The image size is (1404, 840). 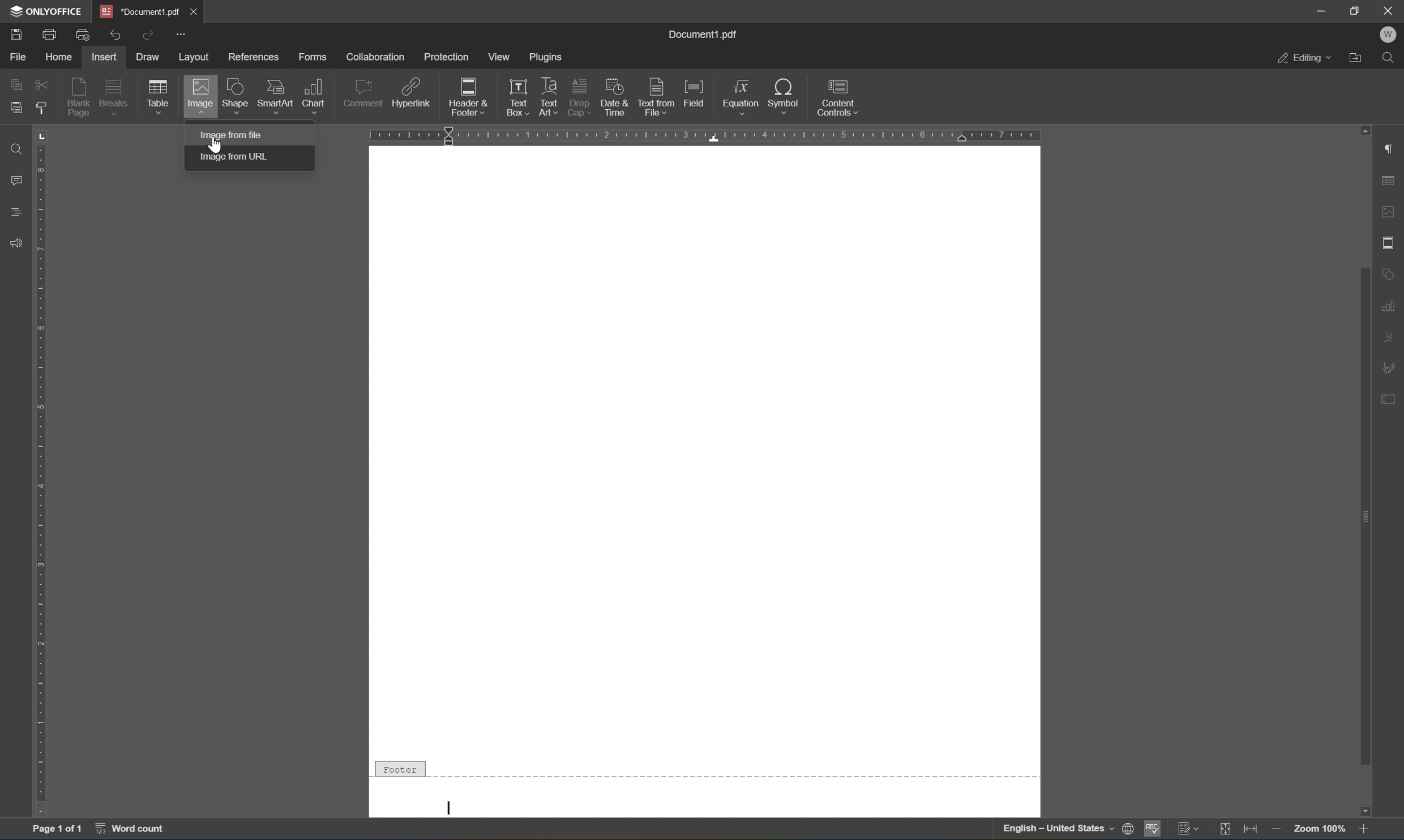 I want to click on table, so click(x=161, y=98).